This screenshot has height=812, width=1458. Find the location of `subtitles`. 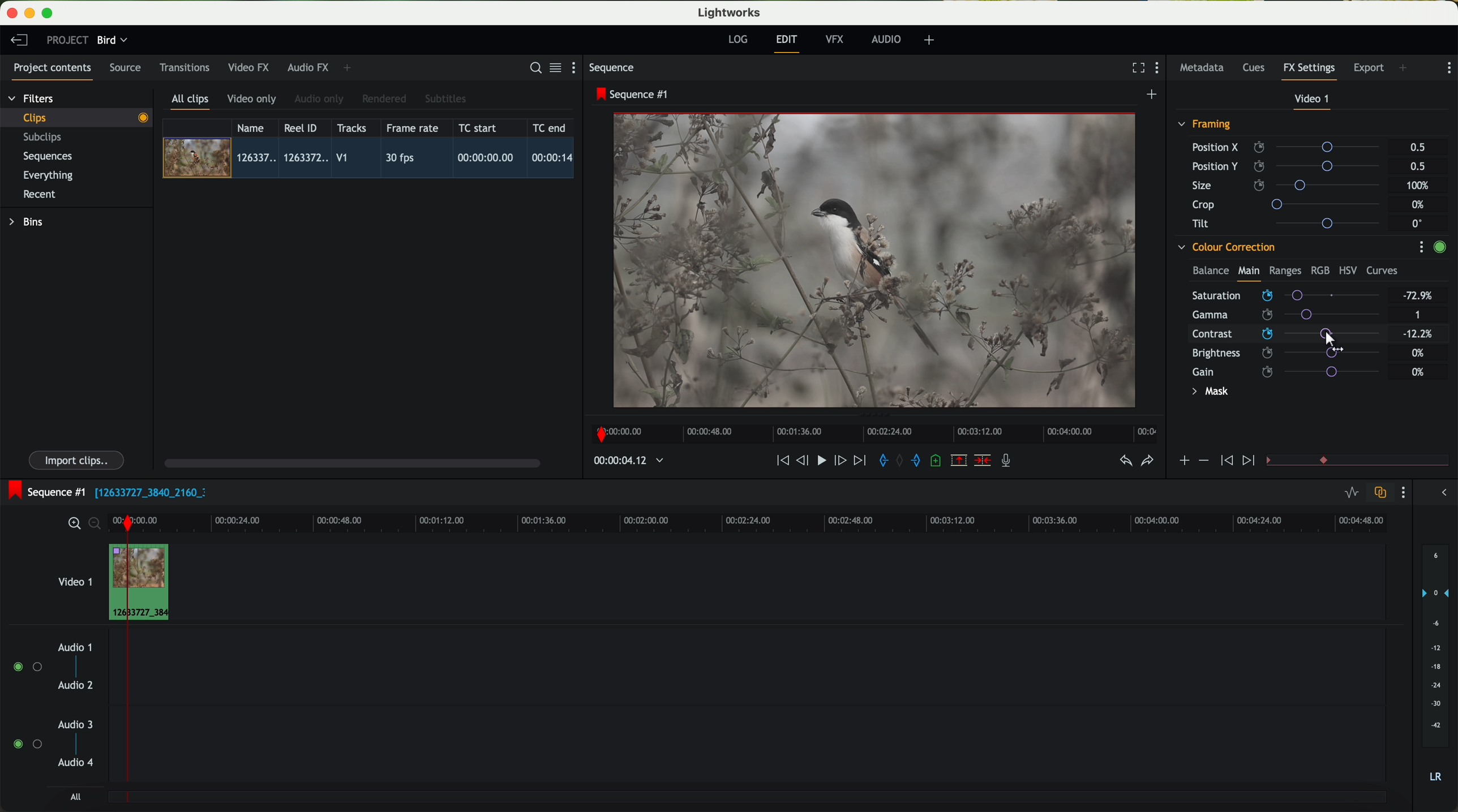

subtitles is located at coordinates (444, 99).